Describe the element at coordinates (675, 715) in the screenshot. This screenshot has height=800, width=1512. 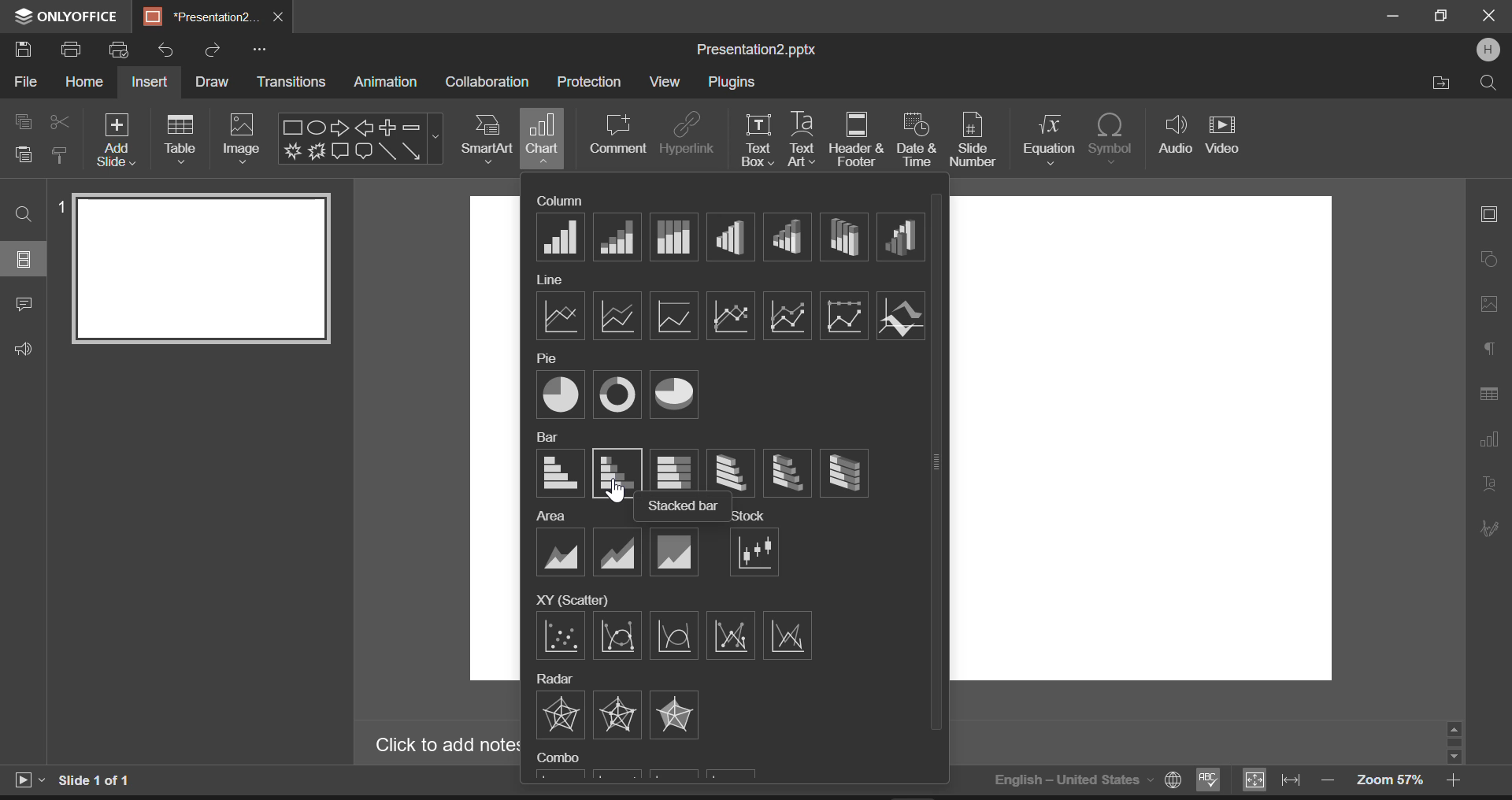
I see `Filled Radar` at that location.